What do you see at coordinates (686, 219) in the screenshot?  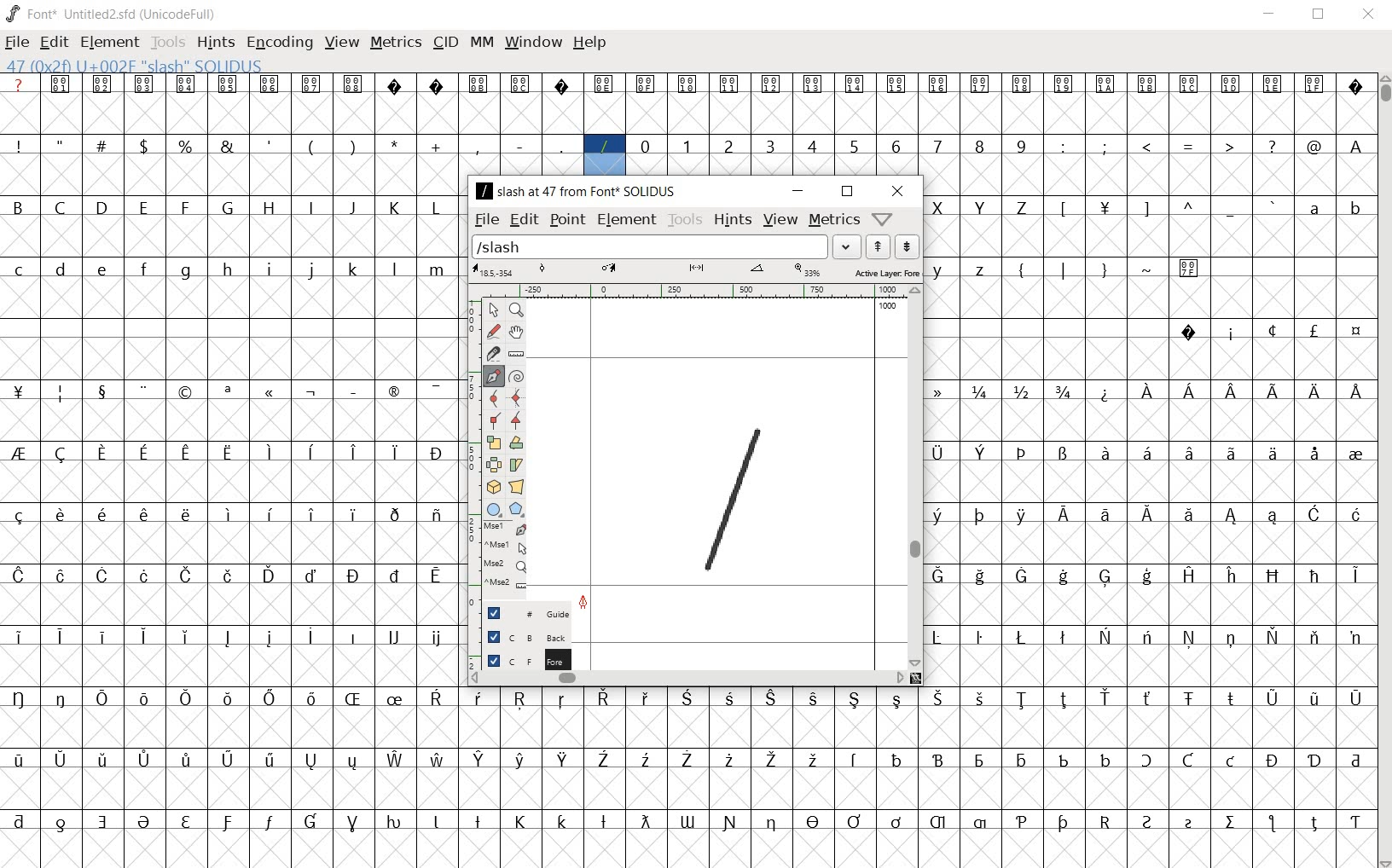 I see `tools` at bounding box center [686, 219].